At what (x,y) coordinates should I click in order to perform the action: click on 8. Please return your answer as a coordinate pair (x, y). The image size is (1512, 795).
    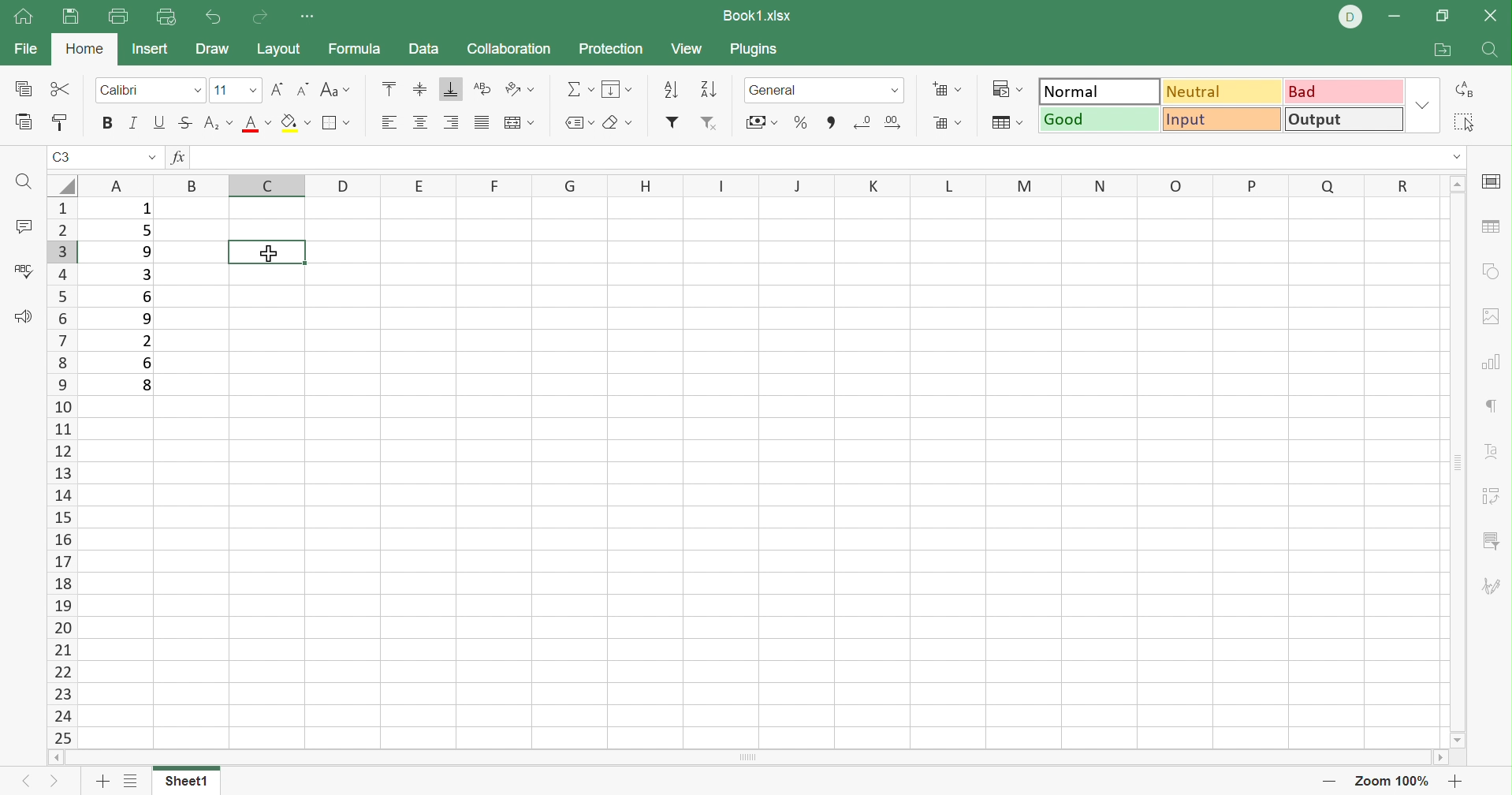
    Looking at the image, I should click on (147, 386).